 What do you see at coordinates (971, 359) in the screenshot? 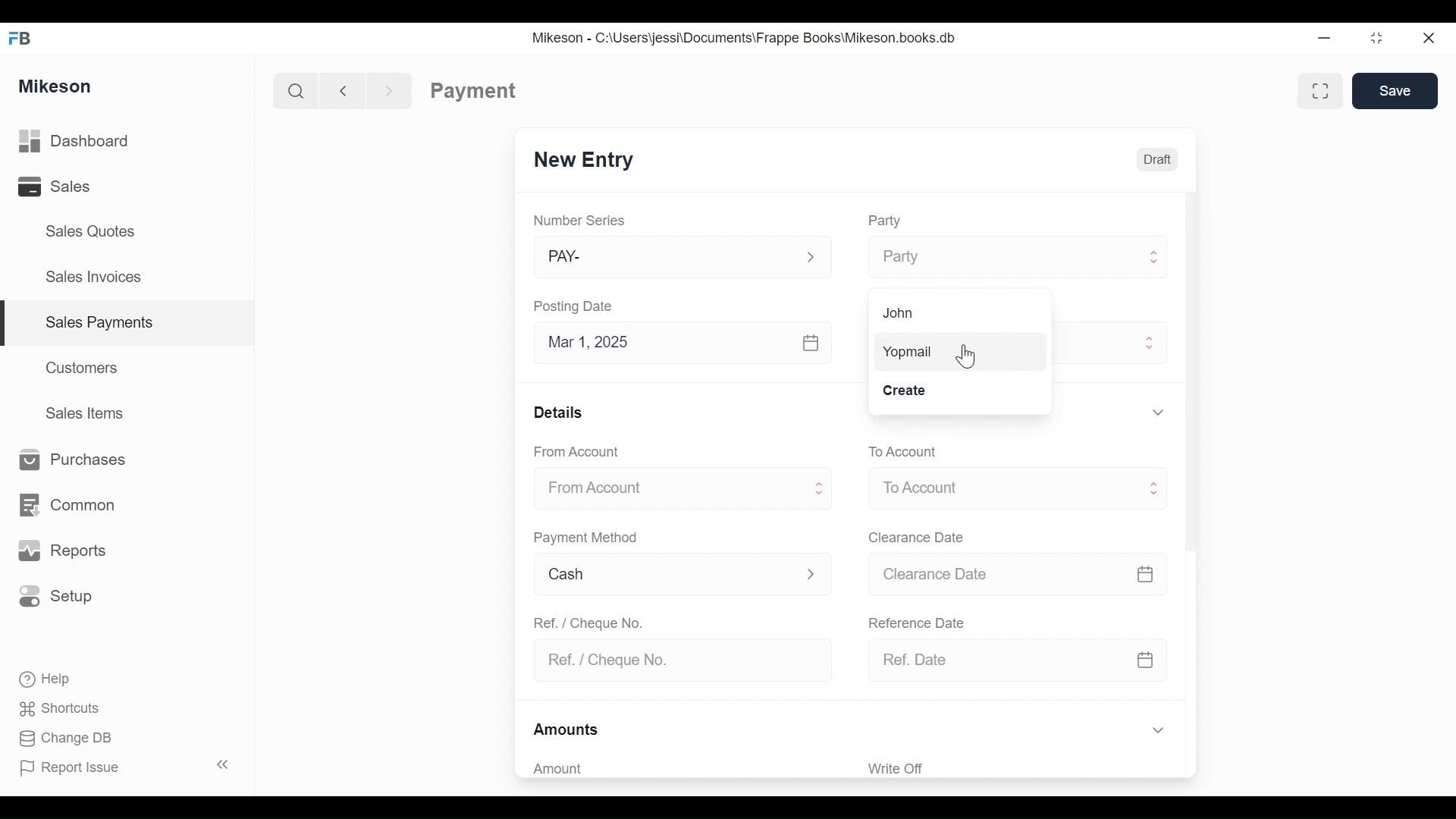
I see `cursor` at bounding box center [971, 359].